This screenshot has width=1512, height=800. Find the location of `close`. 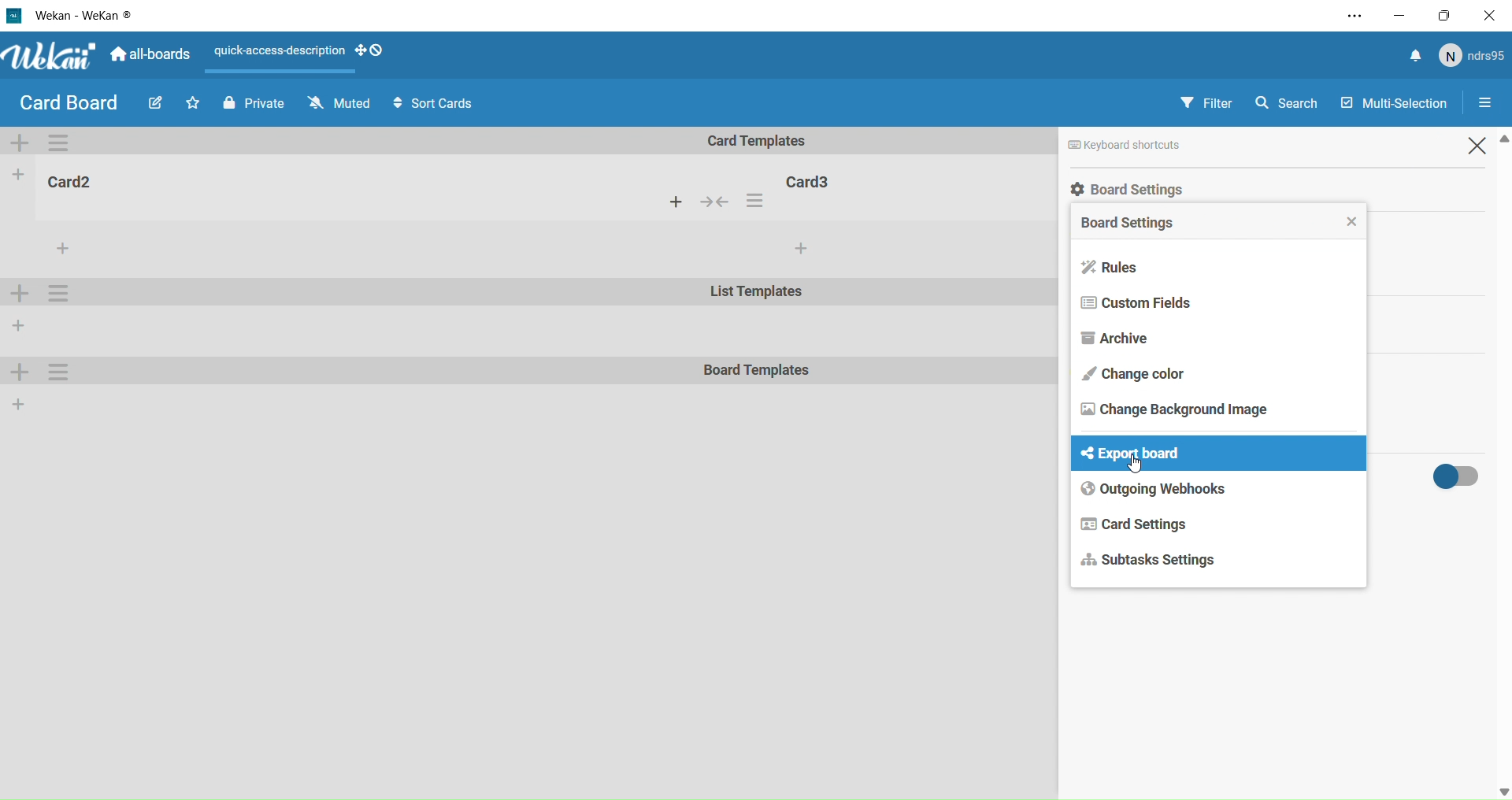

close is located at coordinates (1481, 145).